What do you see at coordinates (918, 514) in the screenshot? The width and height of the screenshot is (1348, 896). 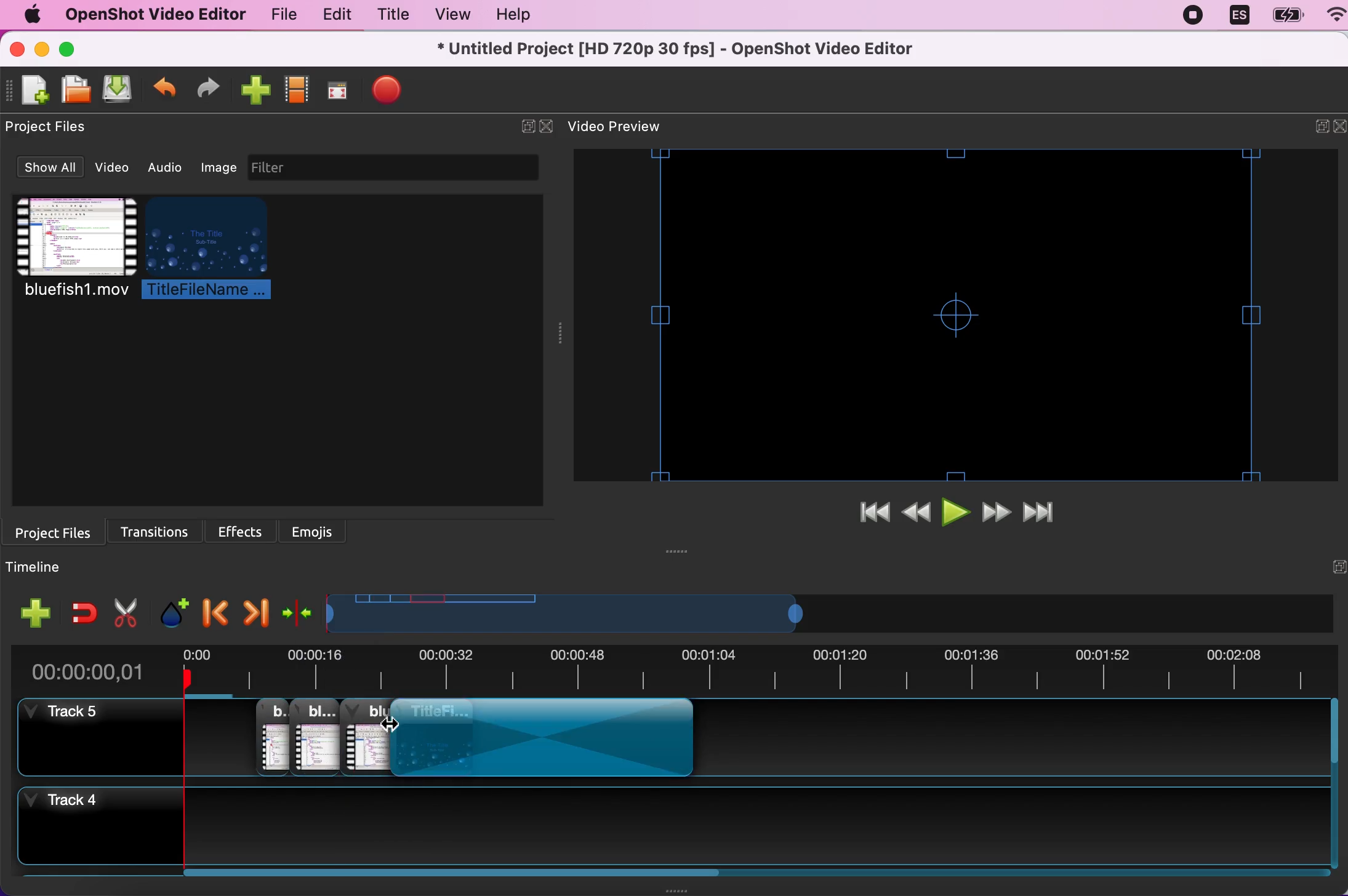 I see `rewind` at bounding box center [918, 514].